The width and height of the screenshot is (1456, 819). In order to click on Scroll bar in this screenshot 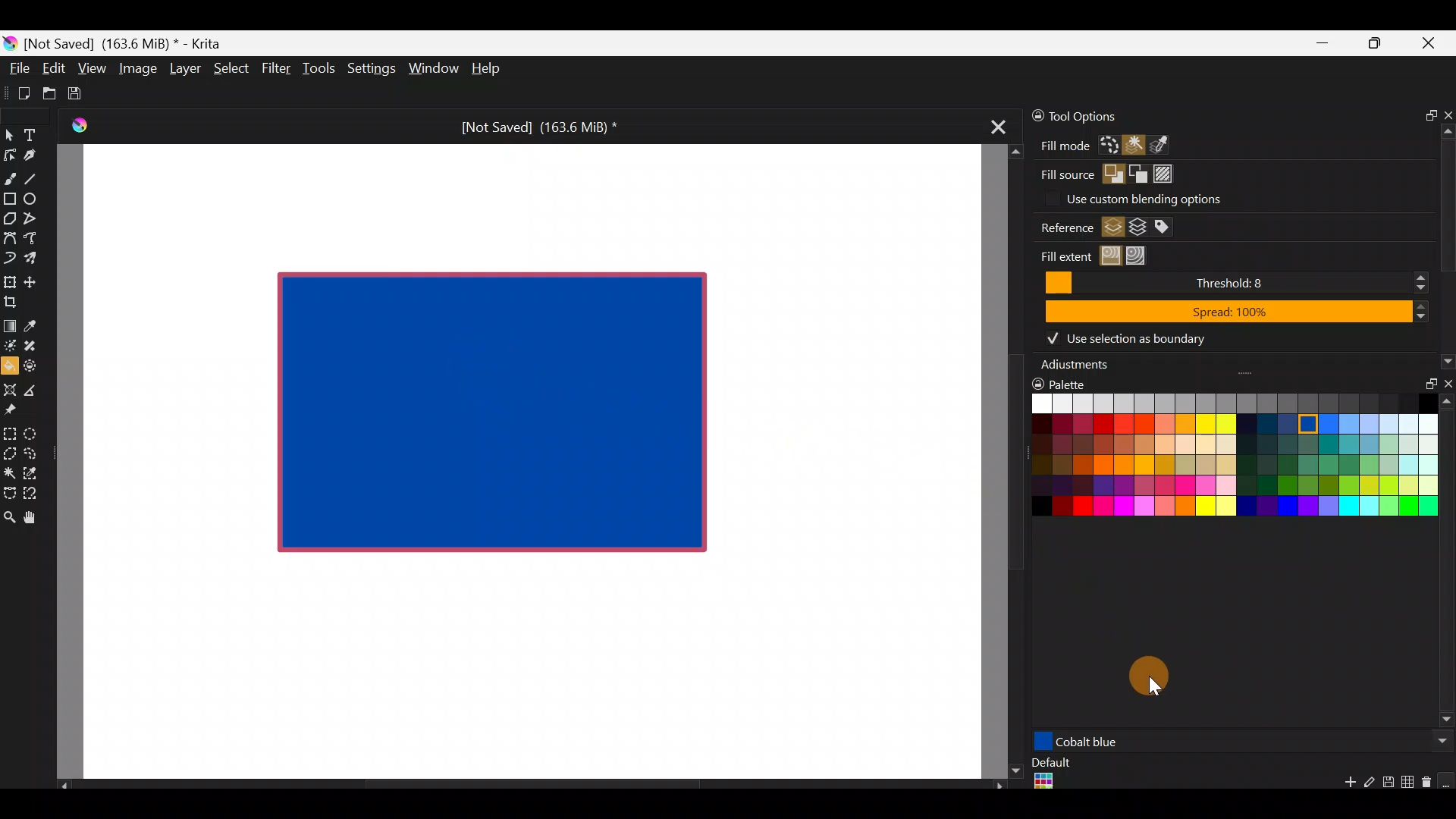, I will do `click(1006, 462)`.